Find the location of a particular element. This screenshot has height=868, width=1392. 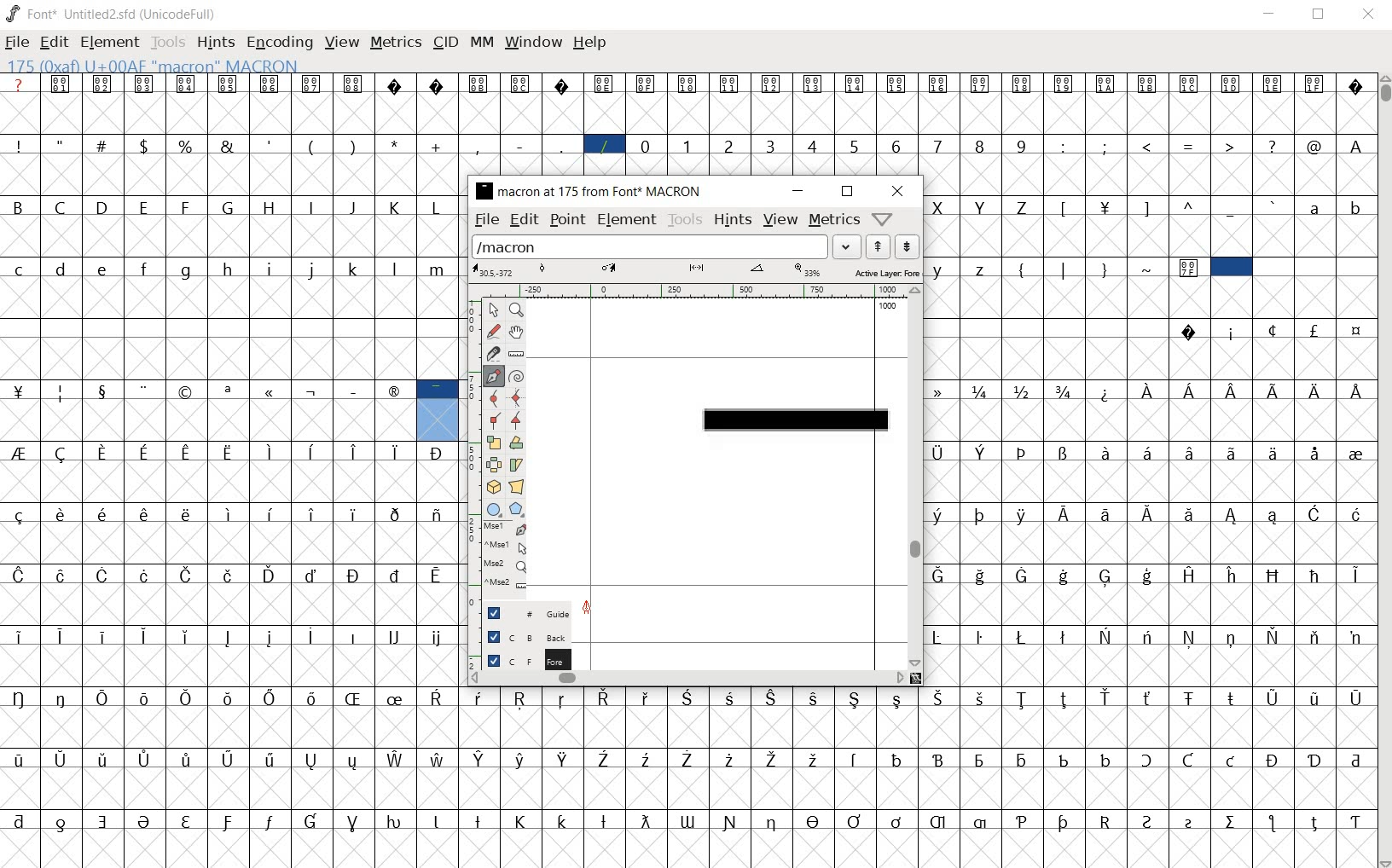

Symbol is located at coordinates (149, 636).